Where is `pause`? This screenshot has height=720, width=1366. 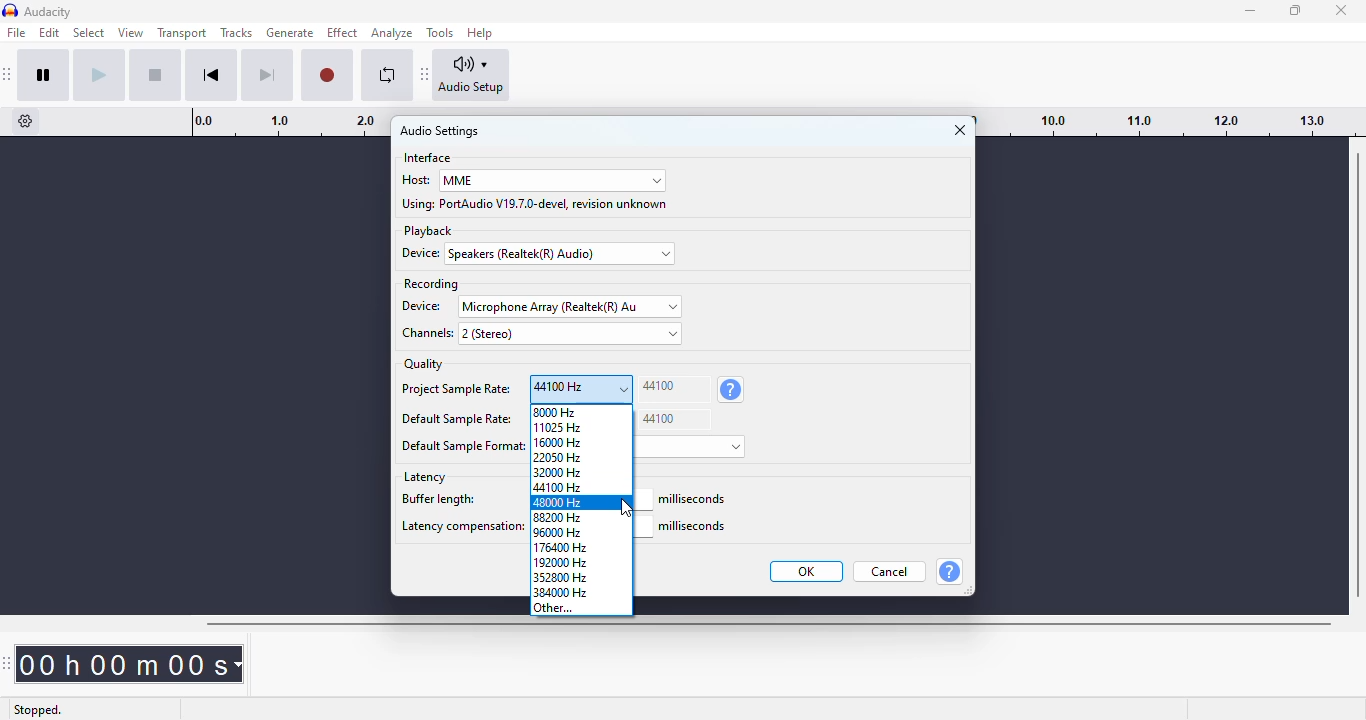
pause is located at coordinates (44, 75).